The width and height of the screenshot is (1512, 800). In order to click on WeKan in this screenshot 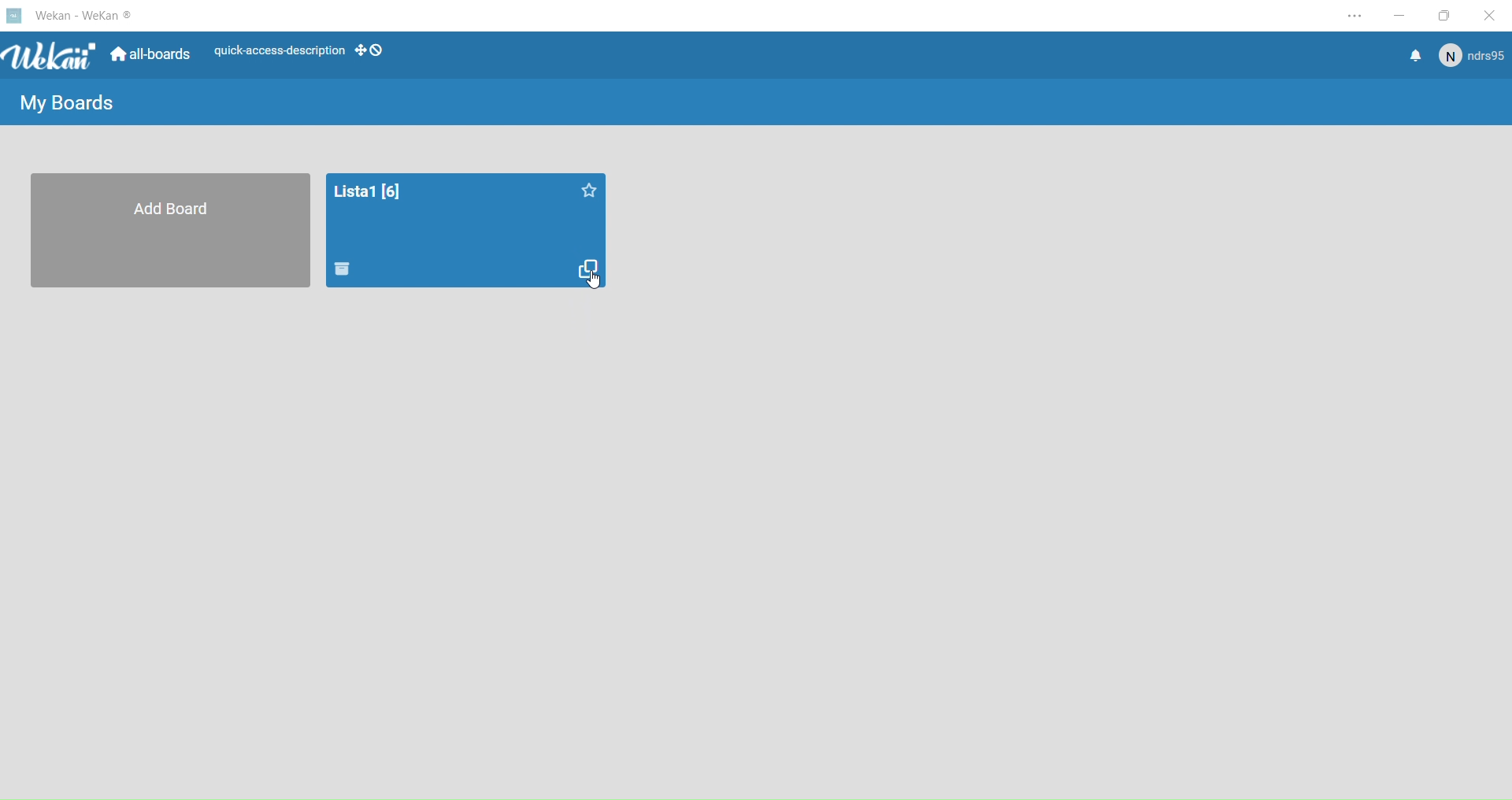, I will do `click(52, 55)`.